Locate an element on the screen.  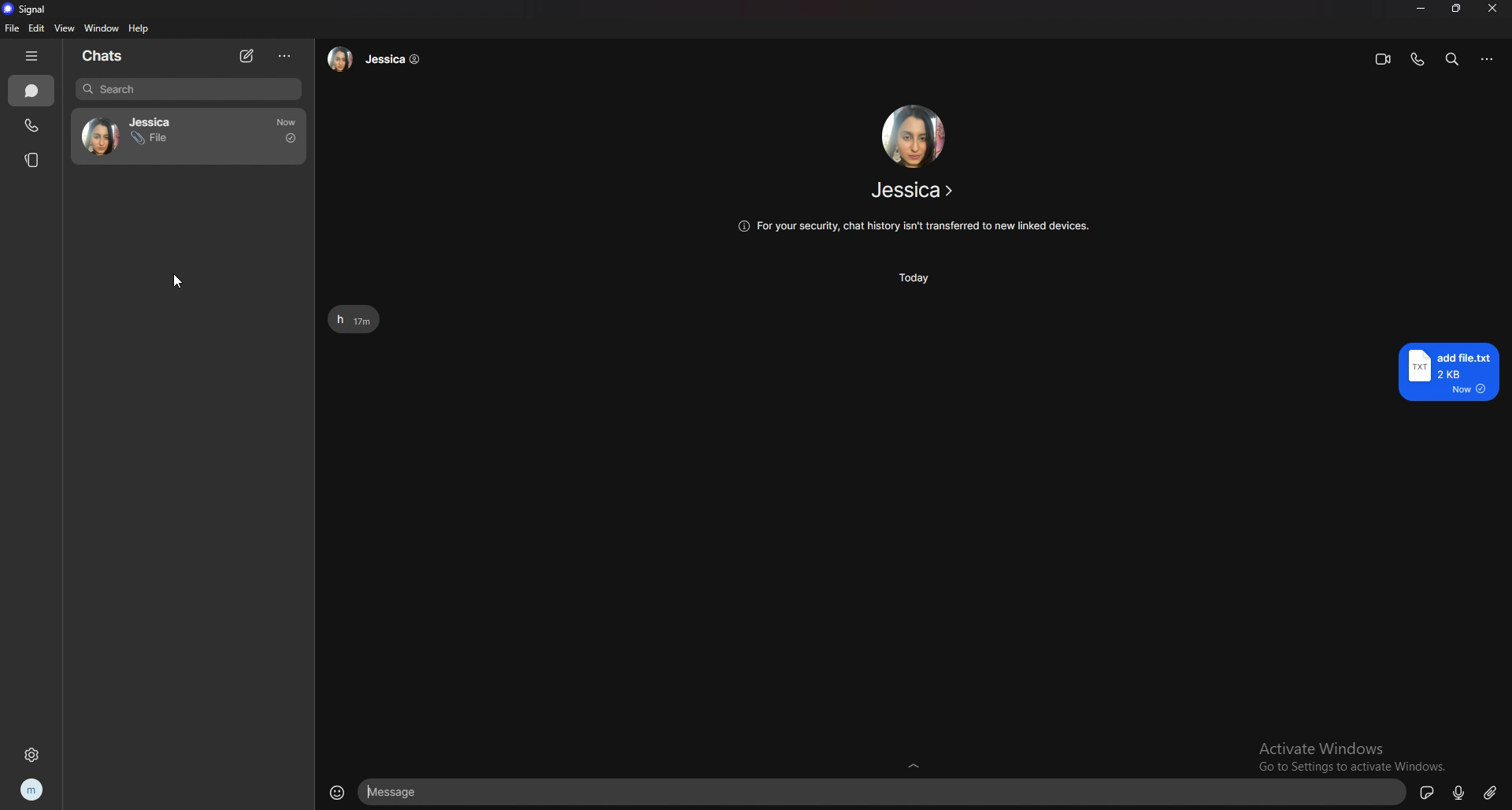
profile is located at coordinates (31, 792).